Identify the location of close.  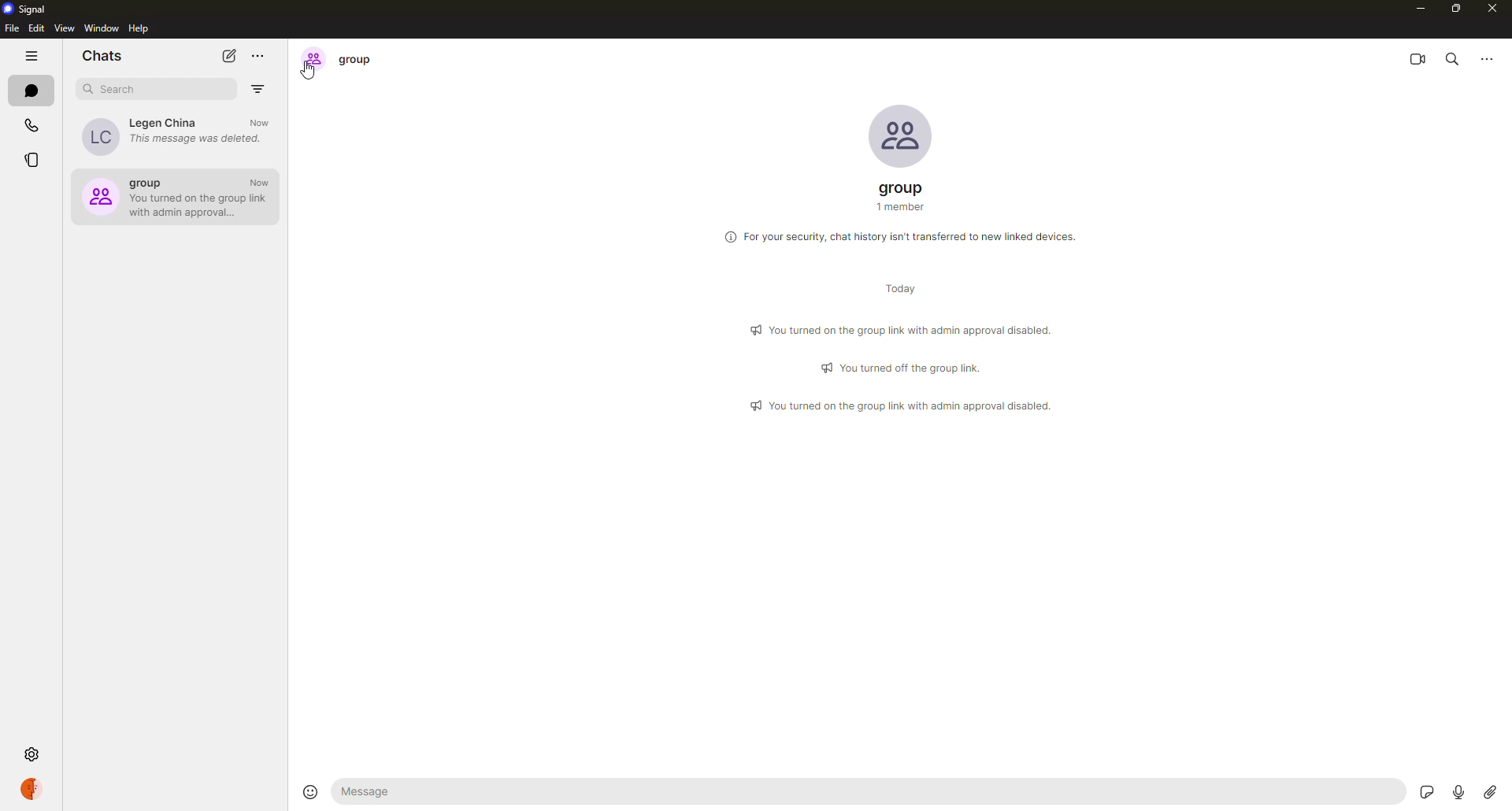
(1495, 9).